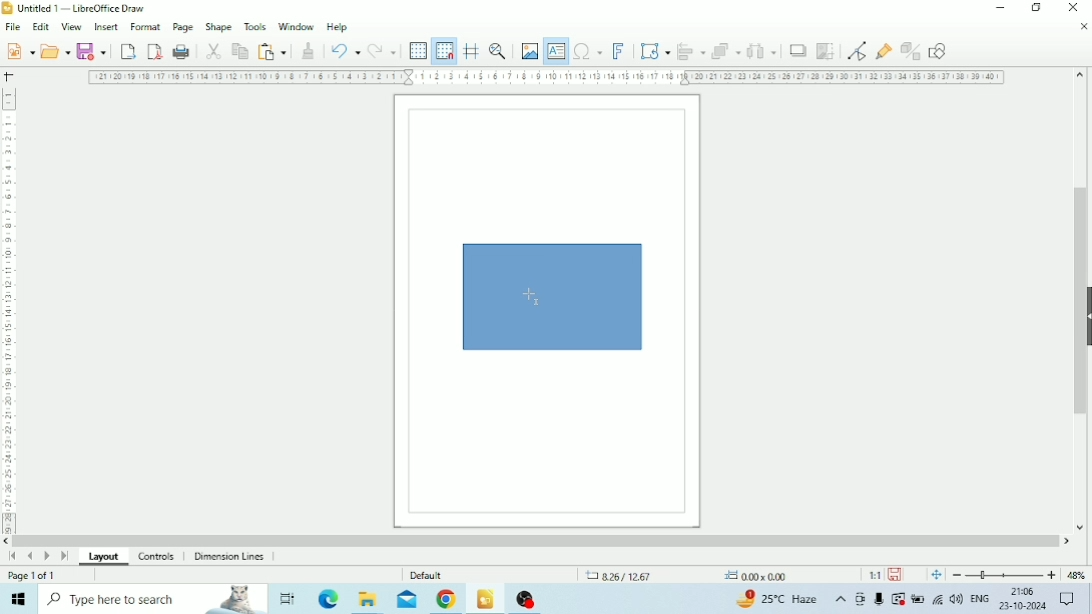 This screenshot has height=614, width=1092. Describe the element at coordinates (726, 49) in the screenshot. I see `Arrange` at that location.